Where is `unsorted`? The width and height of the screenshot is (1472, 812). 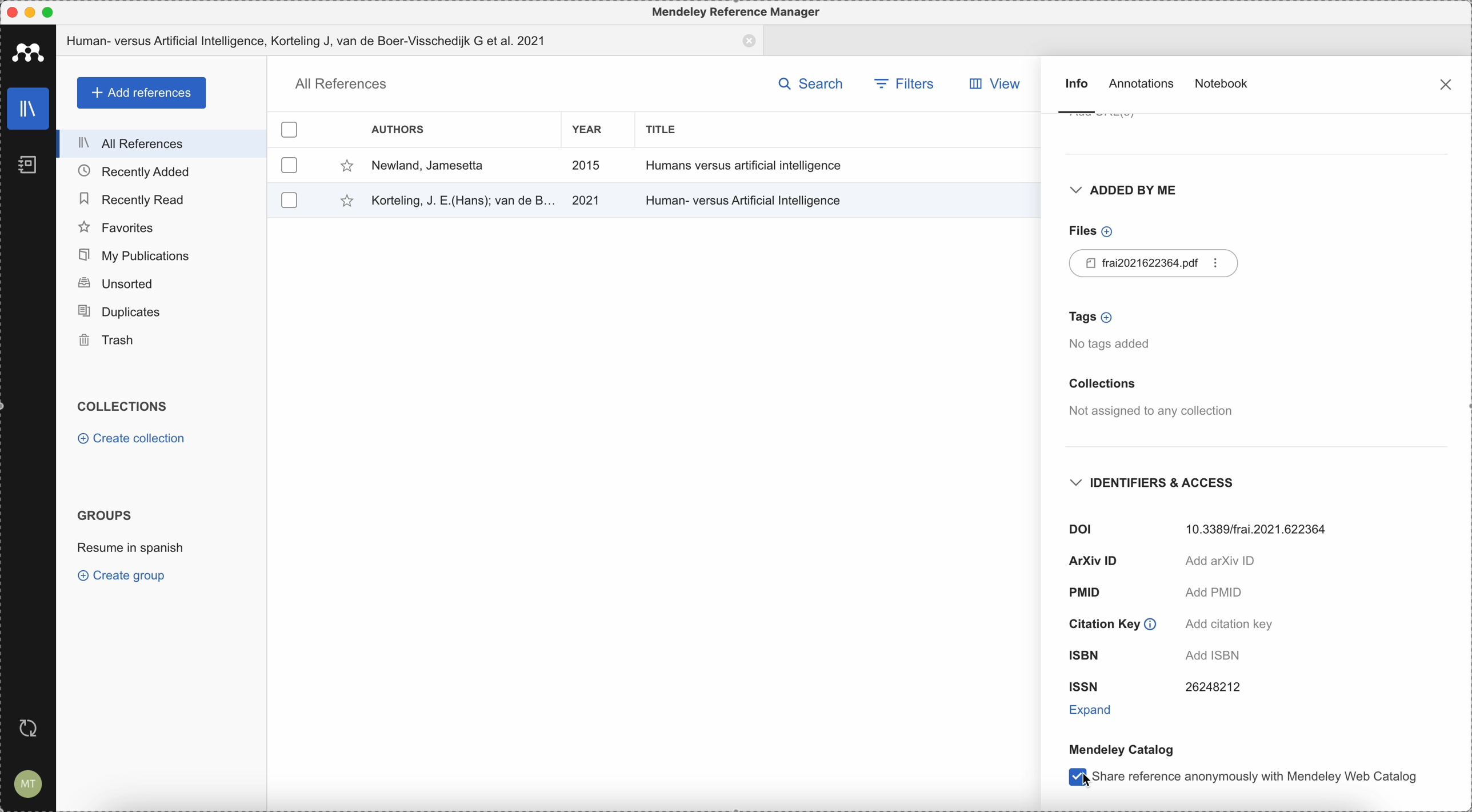
unsorted is located at coordinates (161, 285).